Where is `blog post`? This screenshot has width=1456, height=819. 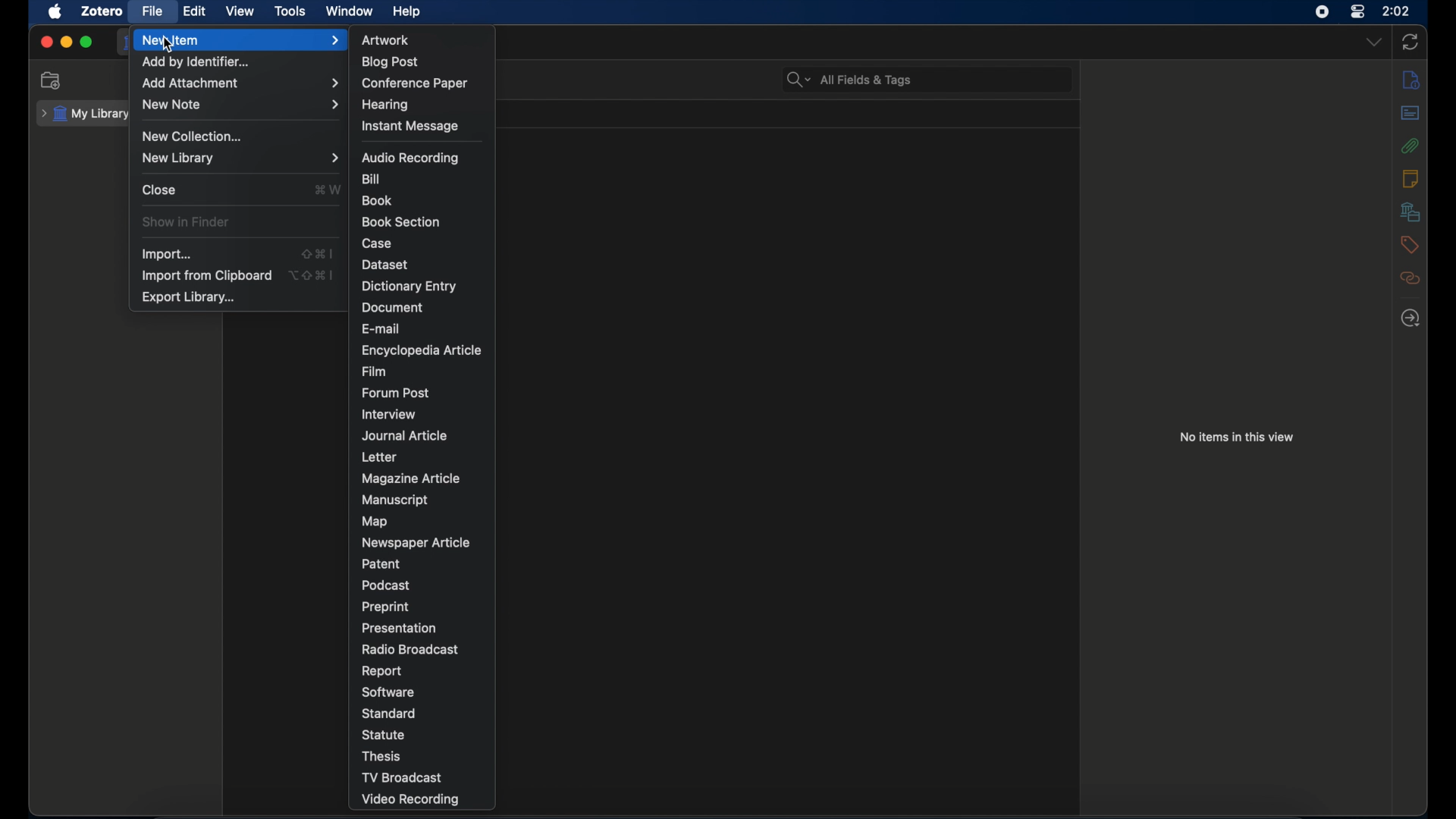 blog post is located at coordinates (392, 62).